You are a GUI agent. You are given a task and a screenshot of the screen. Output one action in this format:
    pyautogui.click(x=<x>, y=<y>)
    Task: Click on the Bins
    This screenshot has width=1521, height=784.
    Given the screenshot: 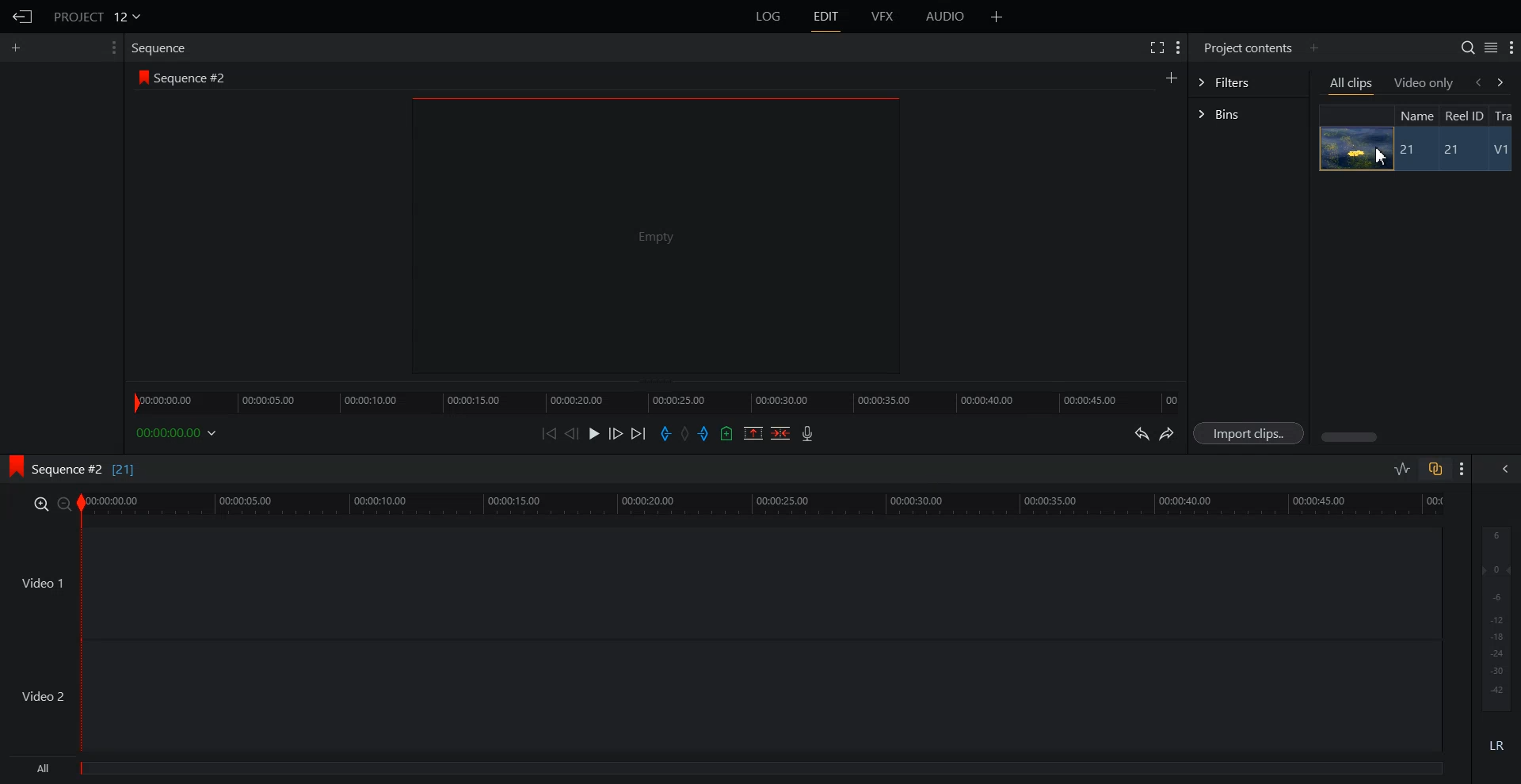 What is the action you would take?
    pyautogui.click(x=1248, y=116)
    